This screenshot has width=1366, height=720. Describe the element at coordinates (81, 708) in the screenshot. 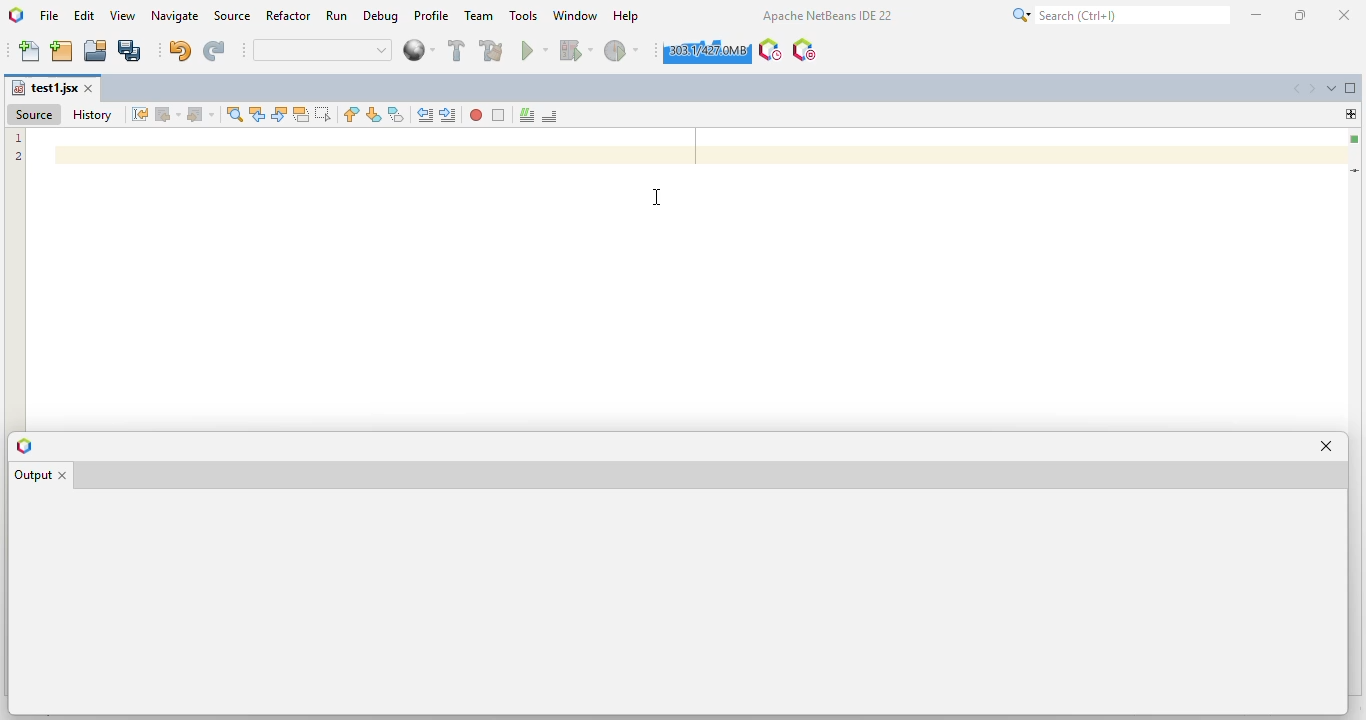

I see `notifications` at that location.